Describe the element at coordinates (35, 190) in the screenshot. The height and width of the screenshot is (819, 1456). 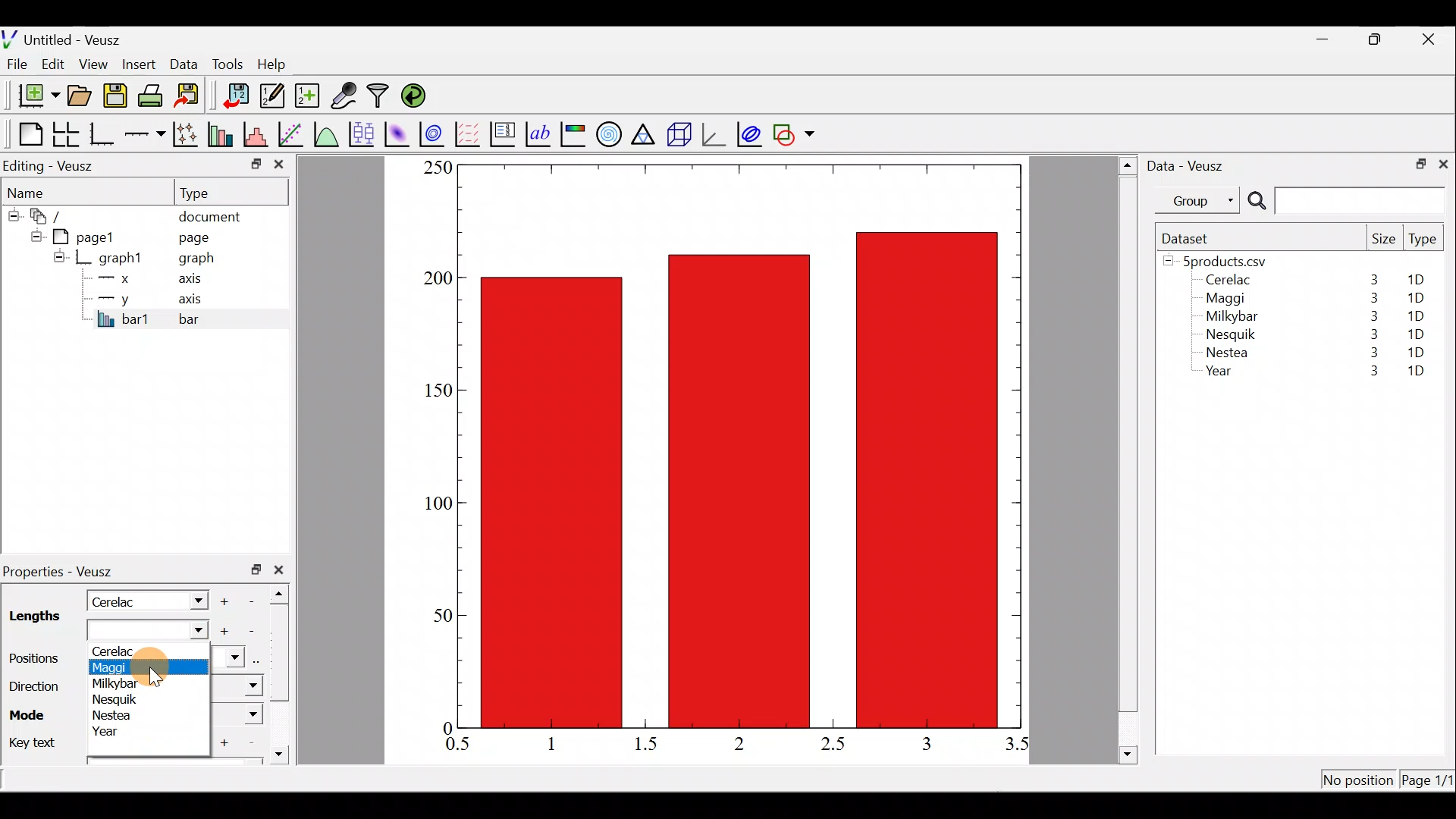
I see `Name` at that location.